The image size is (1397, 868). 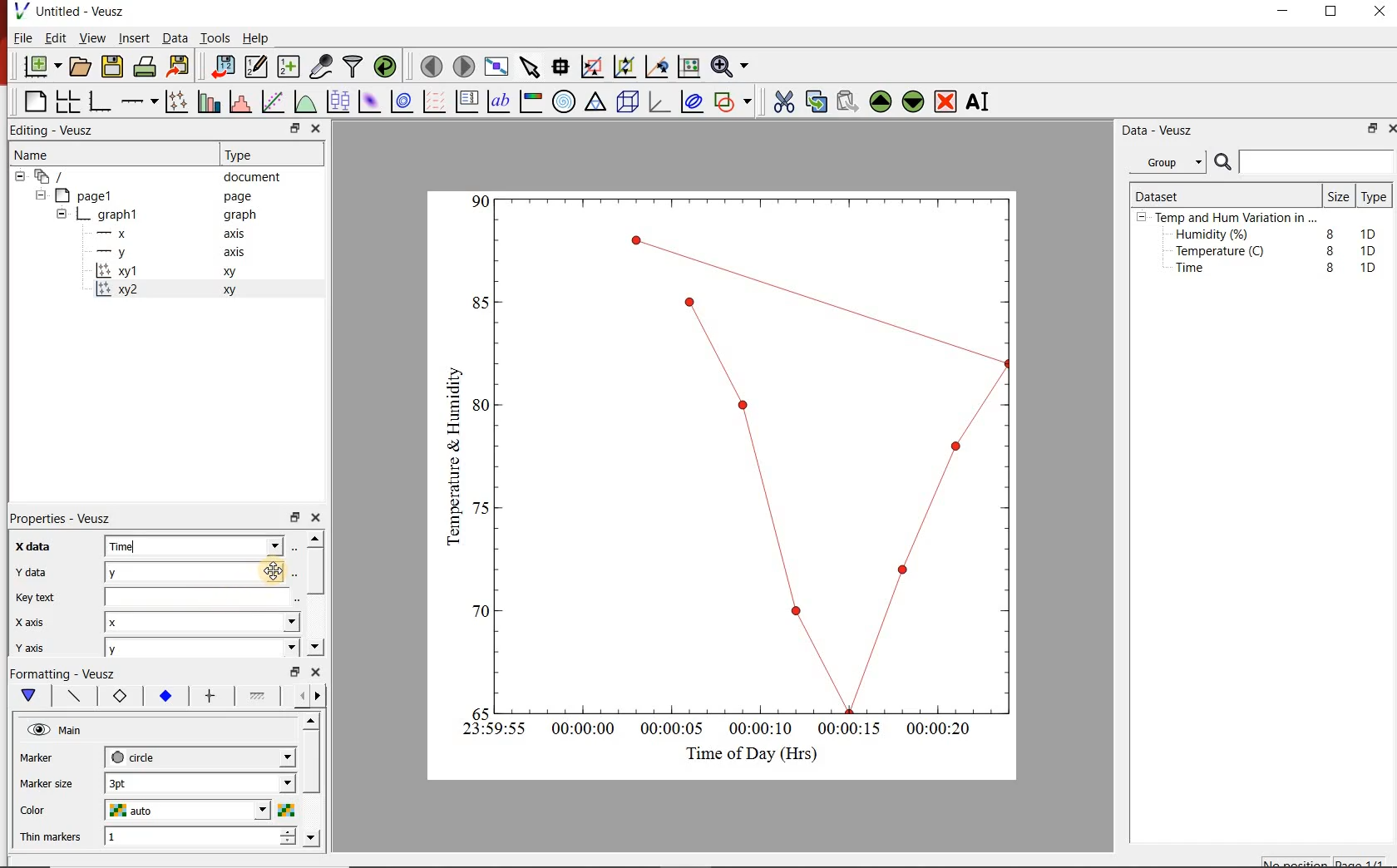 What do you see at coordinates (296, 694) in the screenshot?
I see `go back` at bounding box center [296, 694].